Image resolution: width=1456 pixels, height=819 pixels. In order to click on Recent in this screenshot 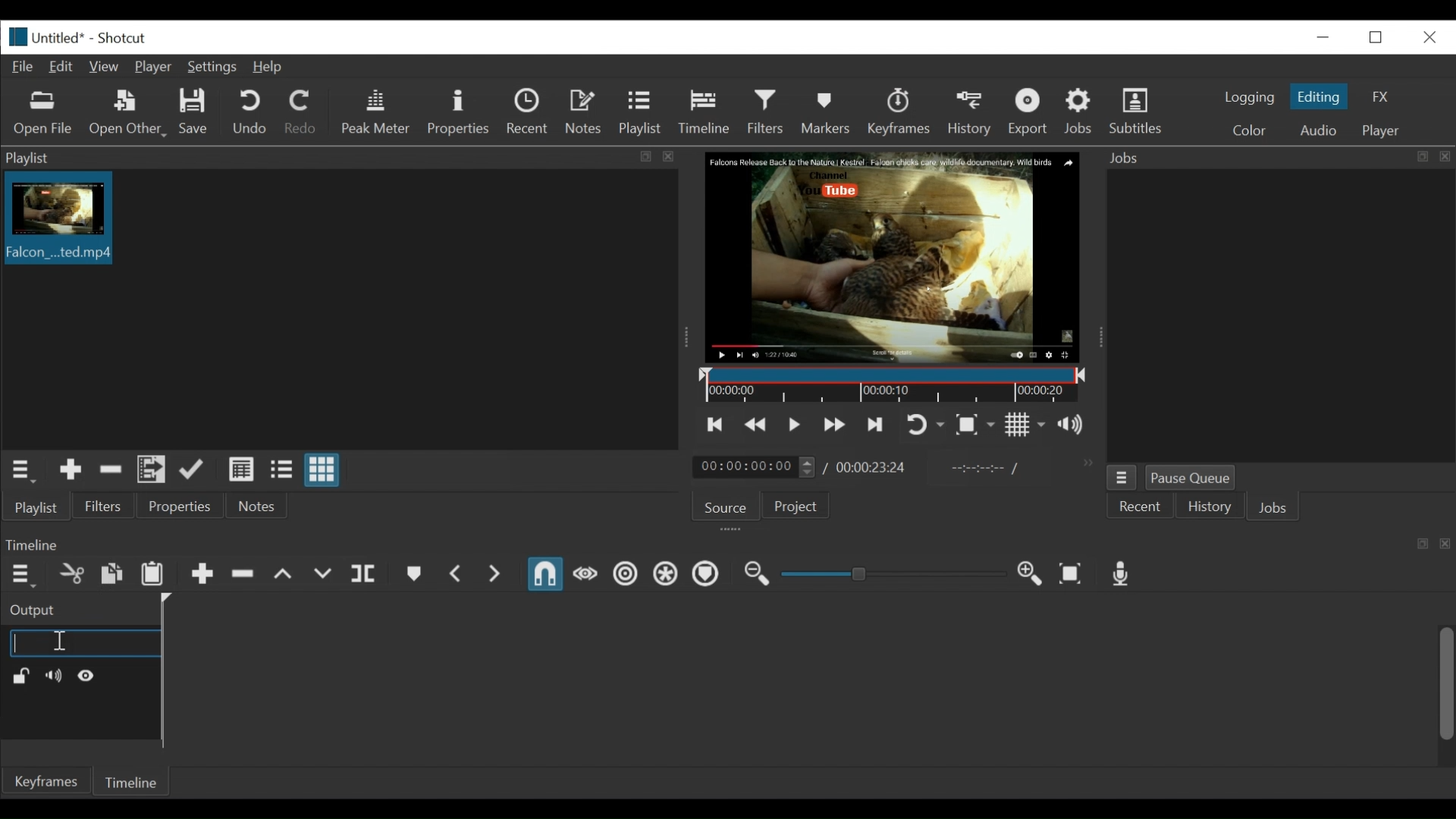, I will do `click(1140, 507)`.